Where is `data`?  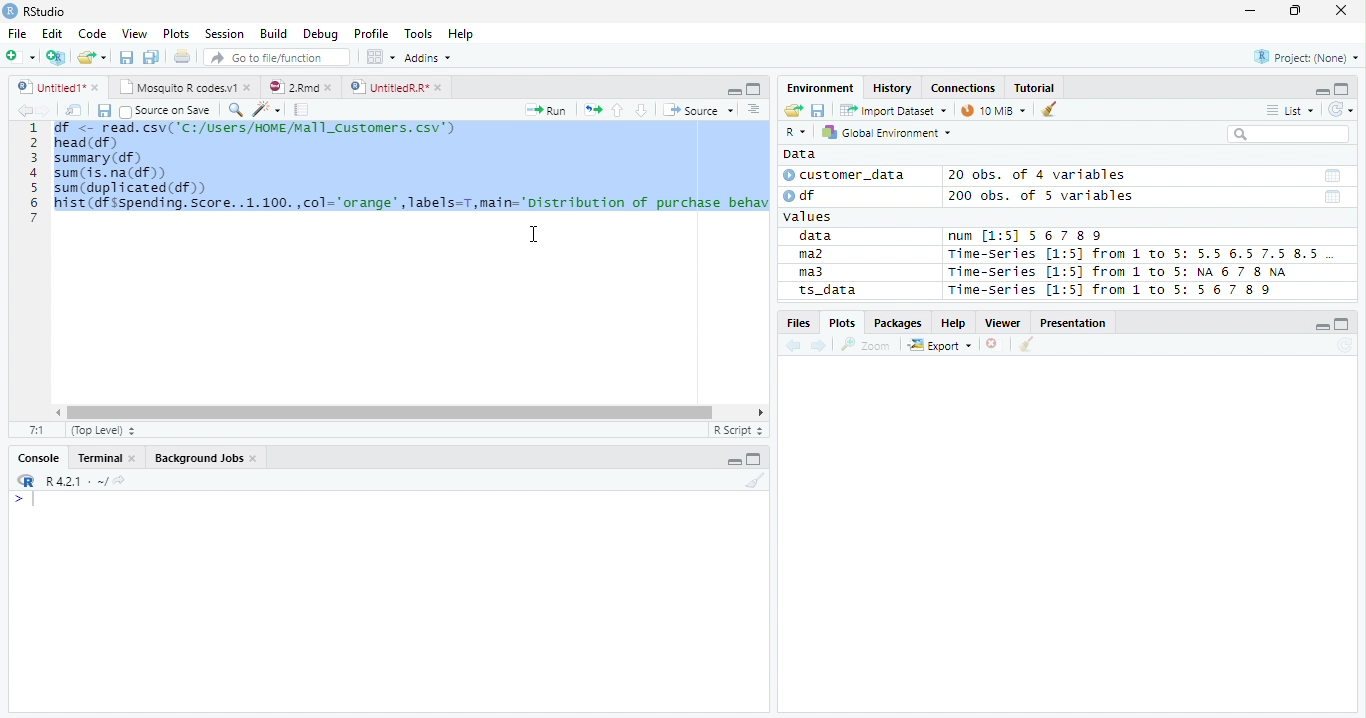 data is located at coordinates (819, 237).